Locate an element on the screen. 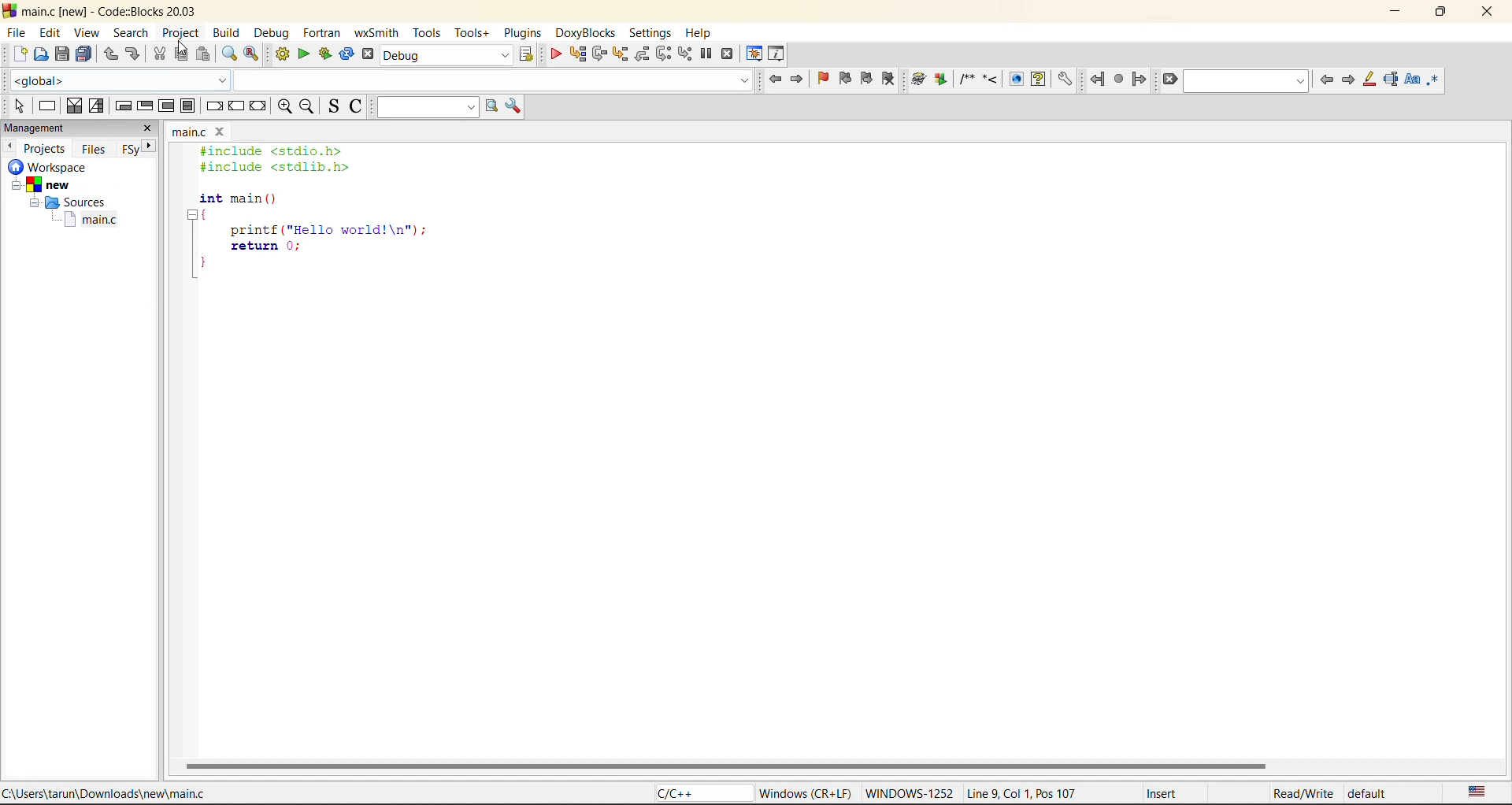  decision is located at coordinates (74, 106).